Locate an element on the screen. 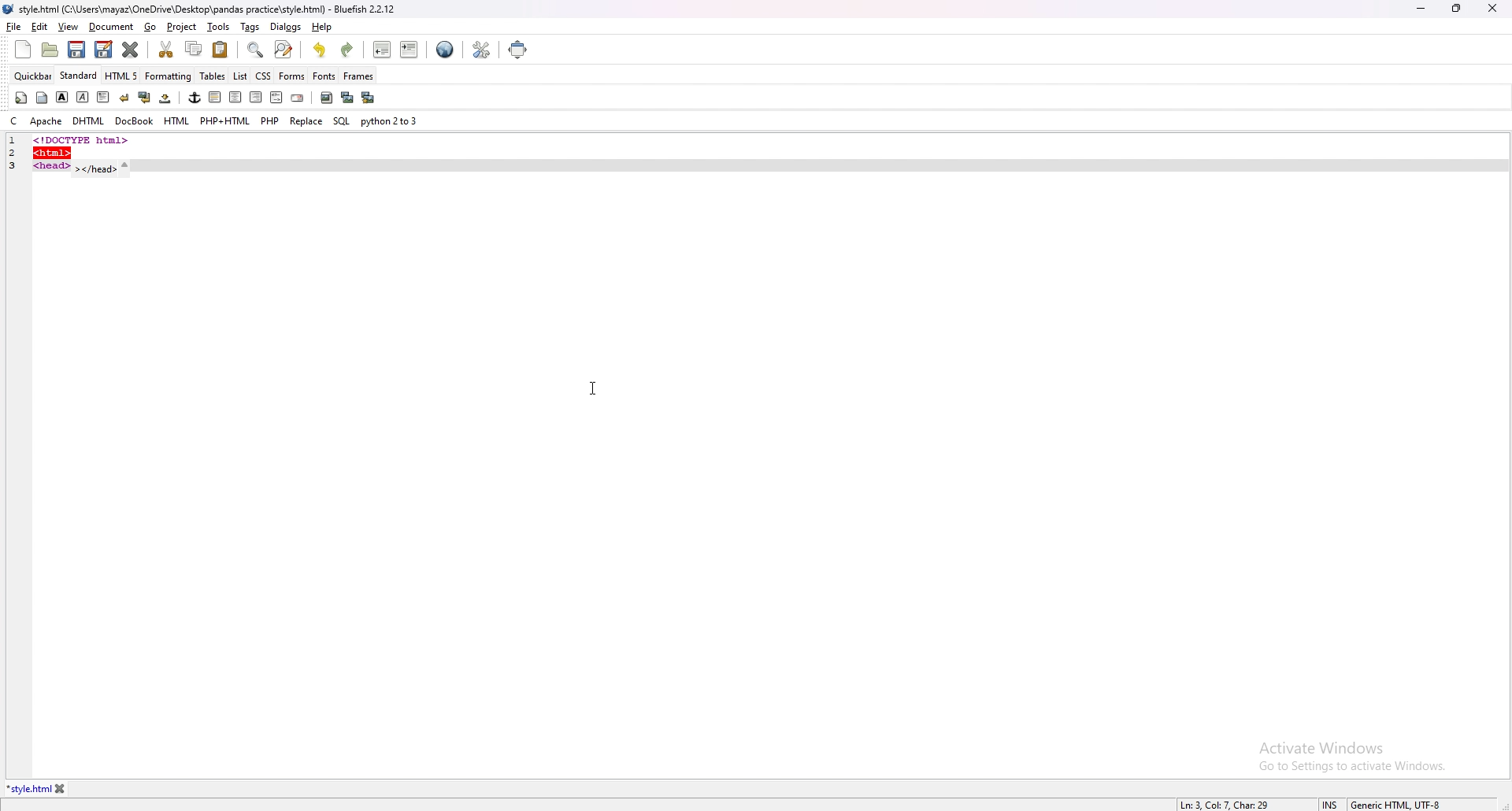 This screenshot has width=1512, height=811. redo is located at coordinates (346, 50).